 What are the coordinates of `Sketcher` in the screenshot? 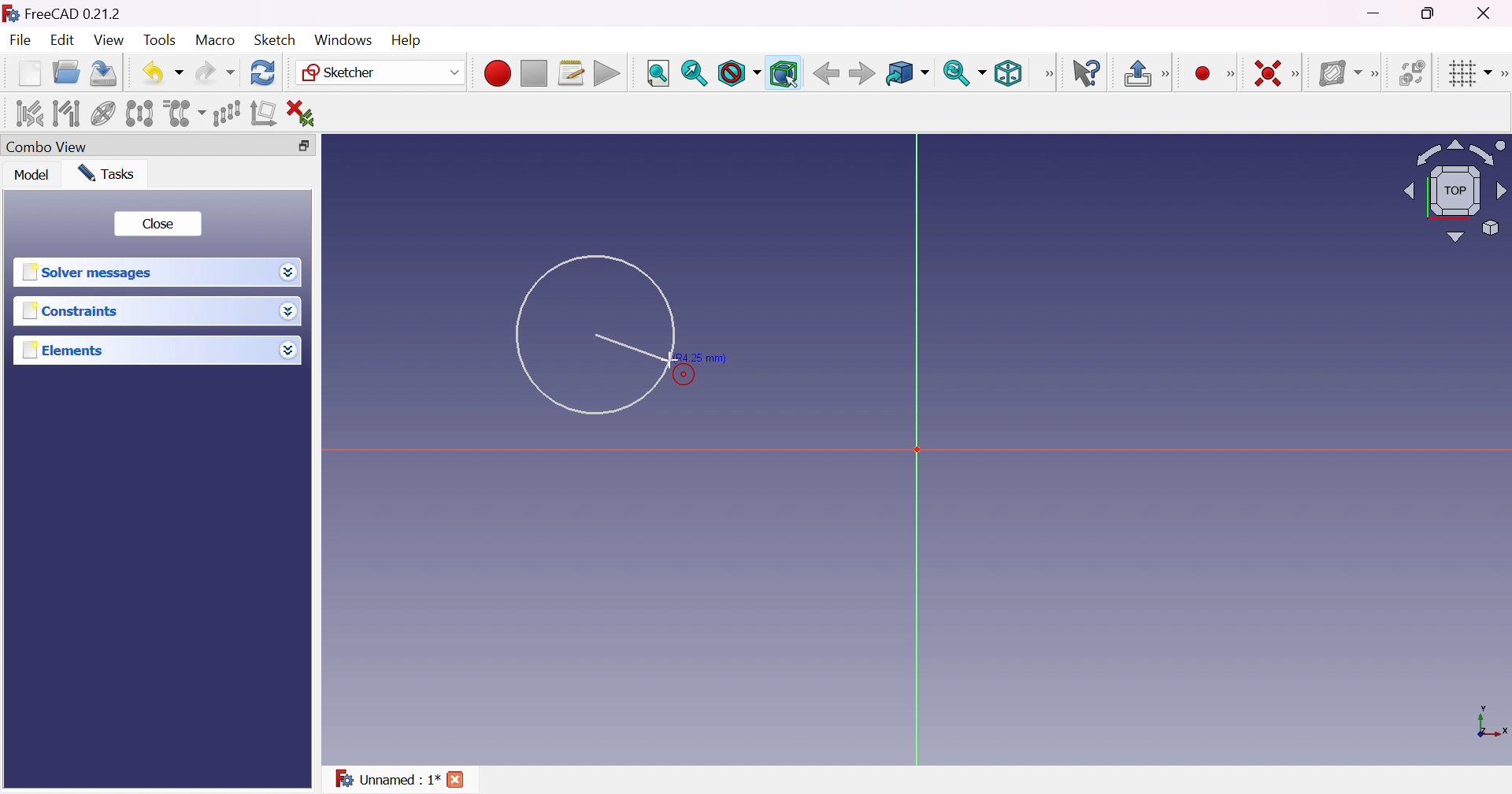 It's located at (382, 72).